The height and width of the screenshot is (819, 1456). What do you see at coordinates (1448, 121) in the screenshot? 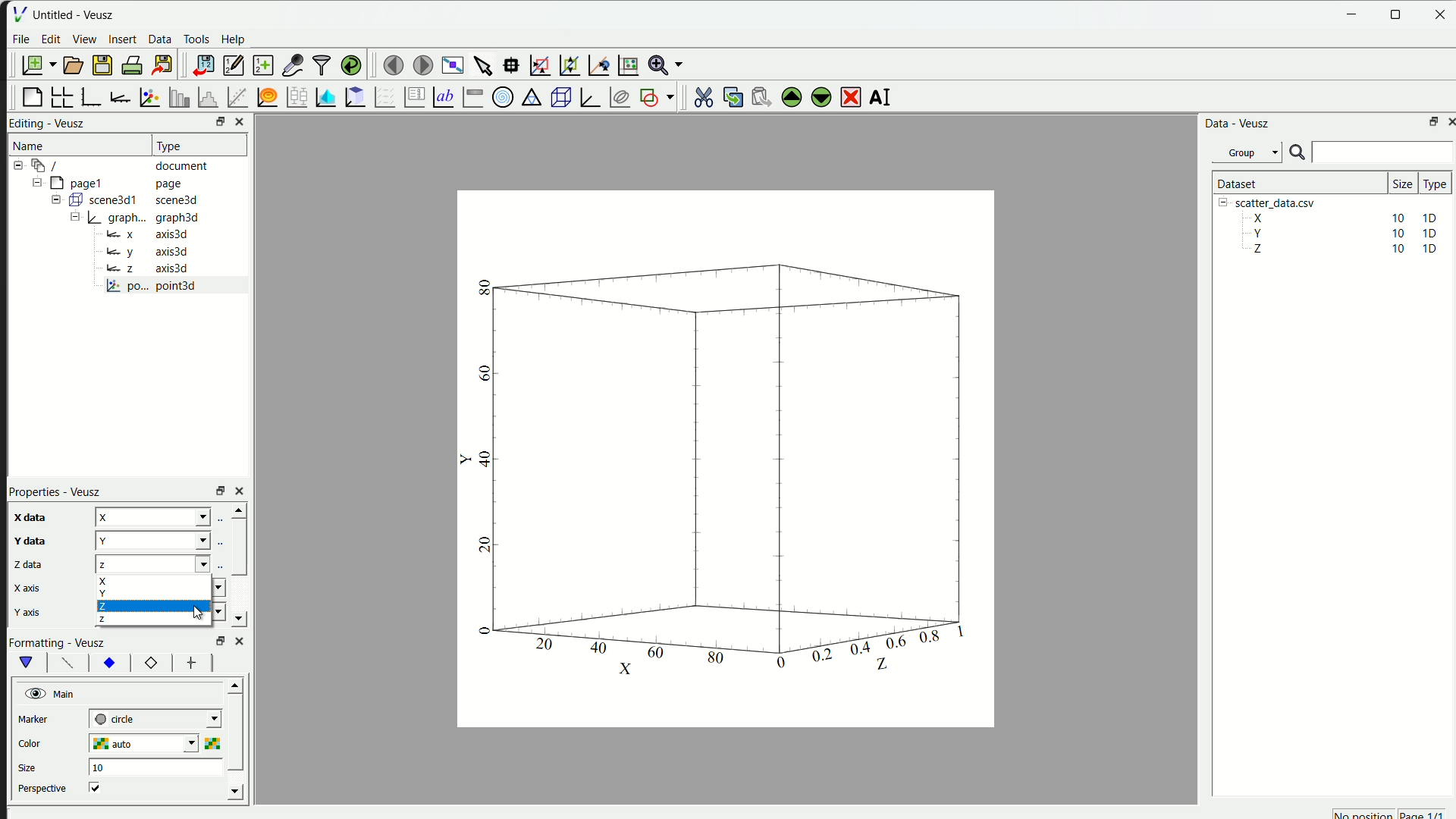
I see `close` at bounding box center [1448, 121].